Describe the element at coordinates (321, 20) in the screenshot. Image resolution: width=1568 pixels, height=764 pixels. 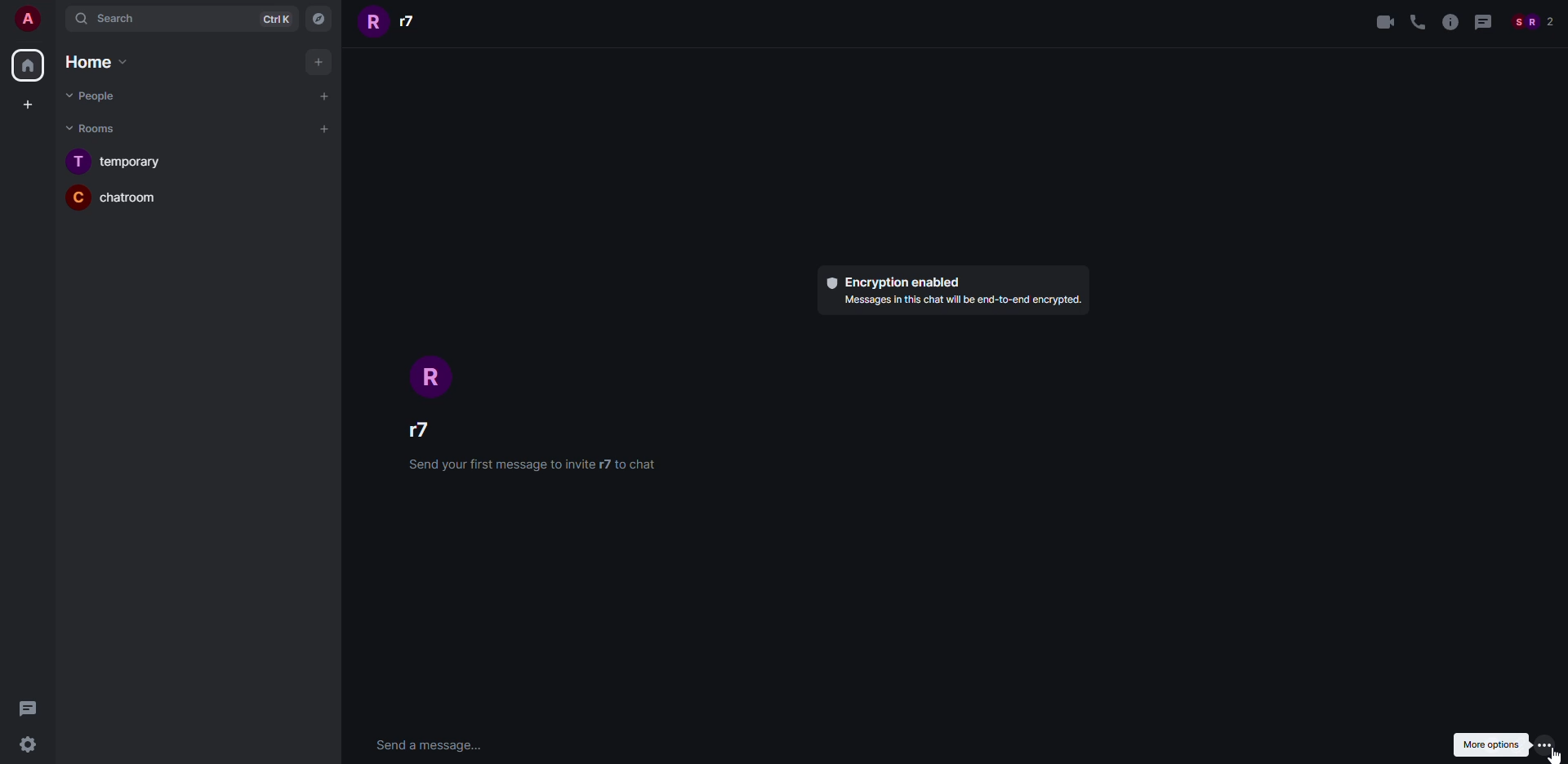
I see `Explore rooms` at that location.